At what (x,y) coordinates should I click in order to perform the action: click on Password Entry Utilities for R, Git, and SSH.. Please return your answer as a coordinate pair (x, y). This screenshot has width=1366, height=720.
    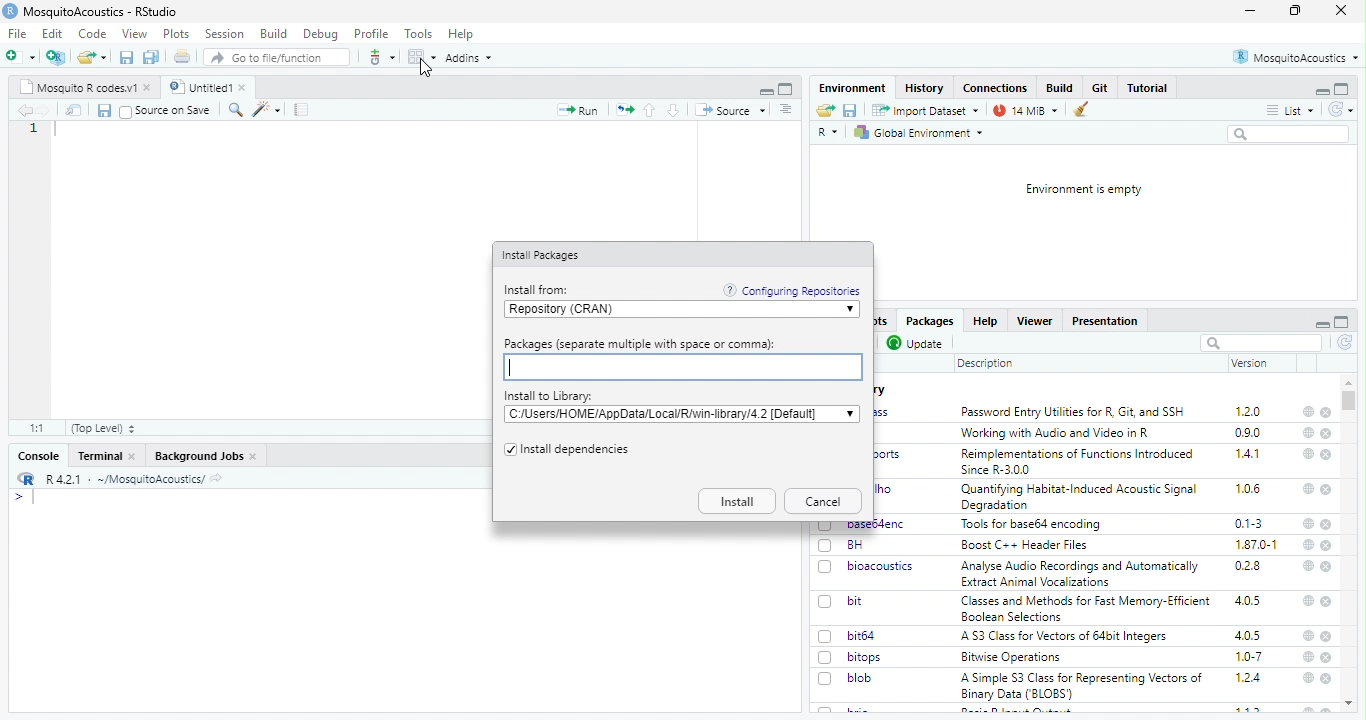
    Looking at the image, I should click on (1075, 411).